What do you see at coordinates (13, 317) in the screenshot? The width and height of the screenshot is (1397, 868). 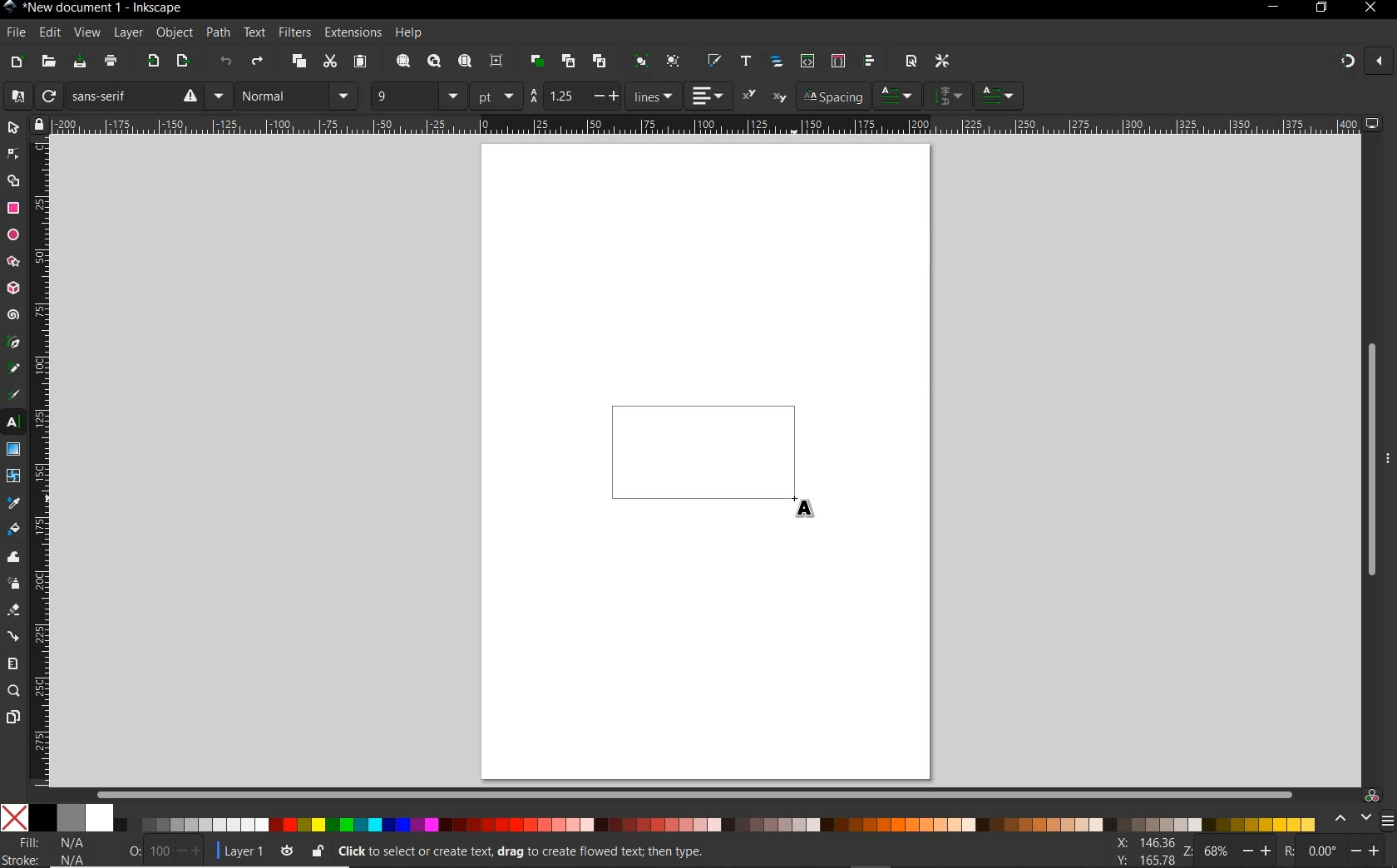 I see `spiral tool` at bounding box center [13, 317].